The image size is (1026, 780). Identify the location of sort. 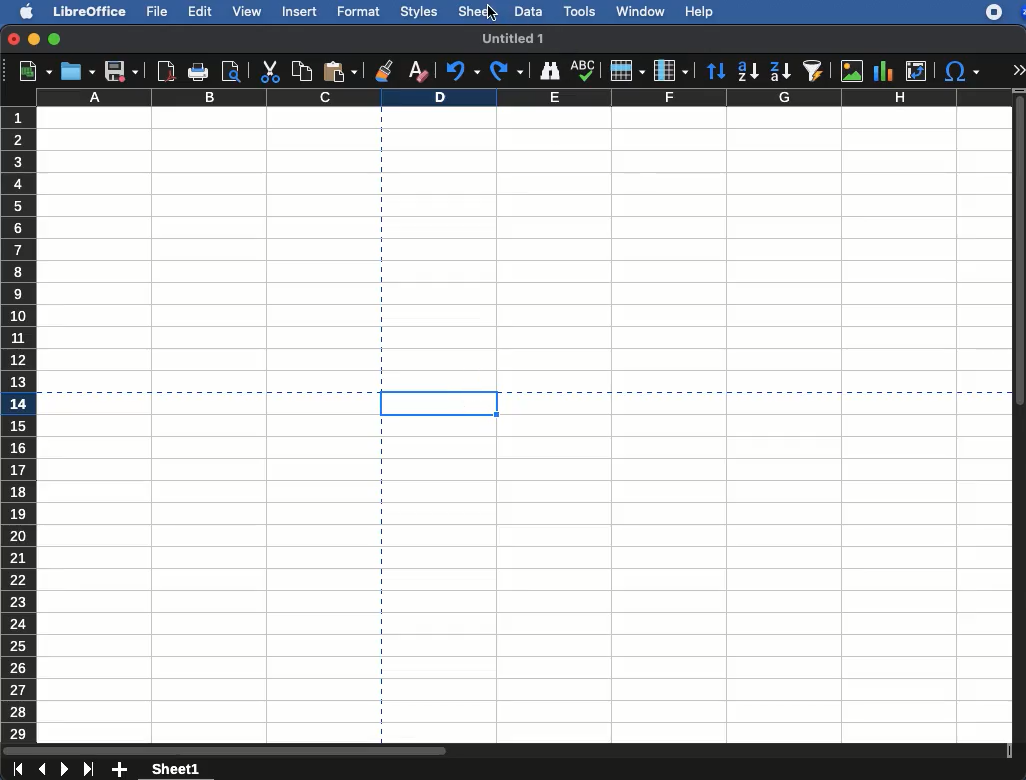
(717, 70).